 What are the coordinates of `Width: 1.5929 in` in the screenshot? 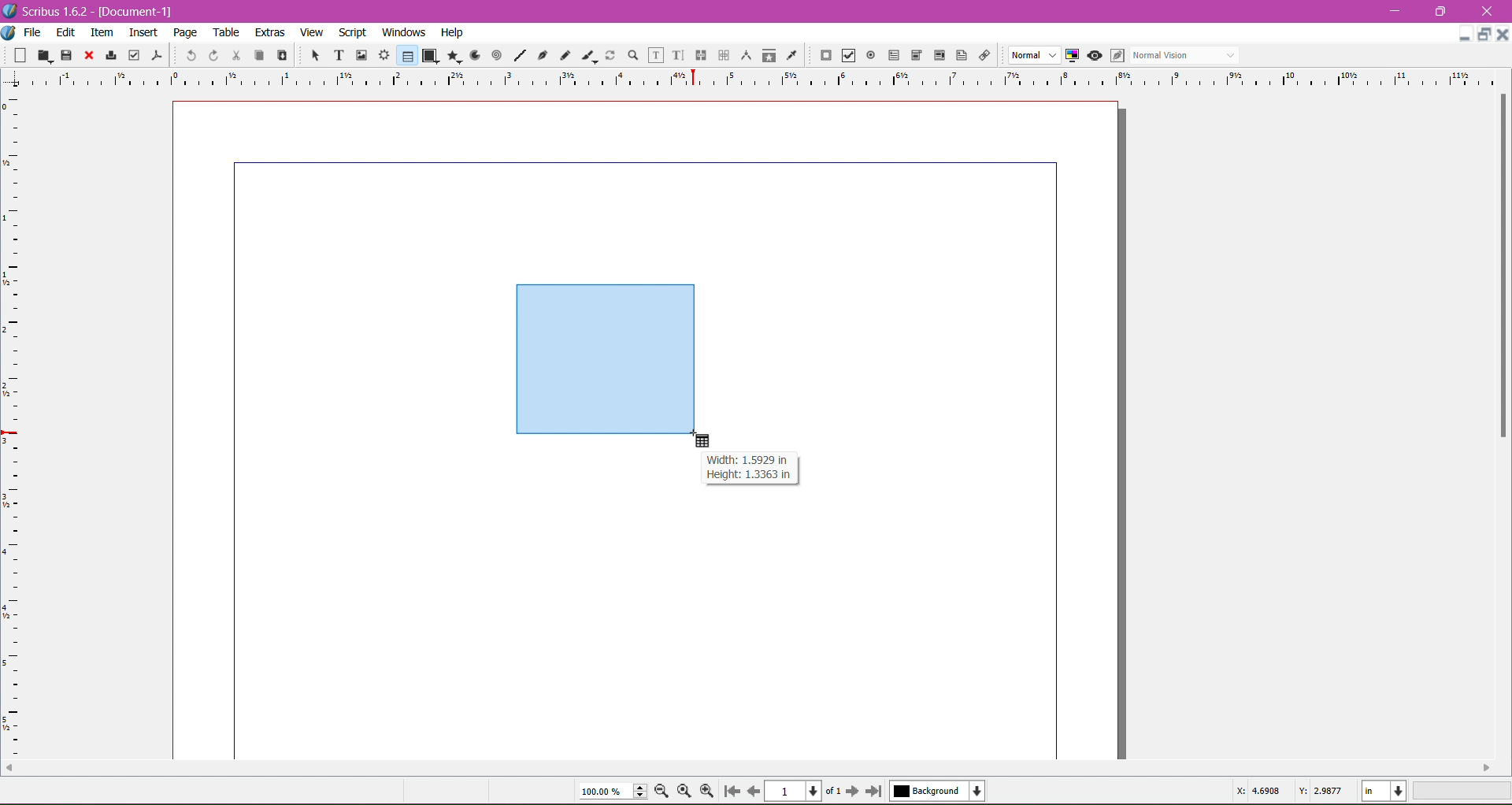 It's located at (747, 460).